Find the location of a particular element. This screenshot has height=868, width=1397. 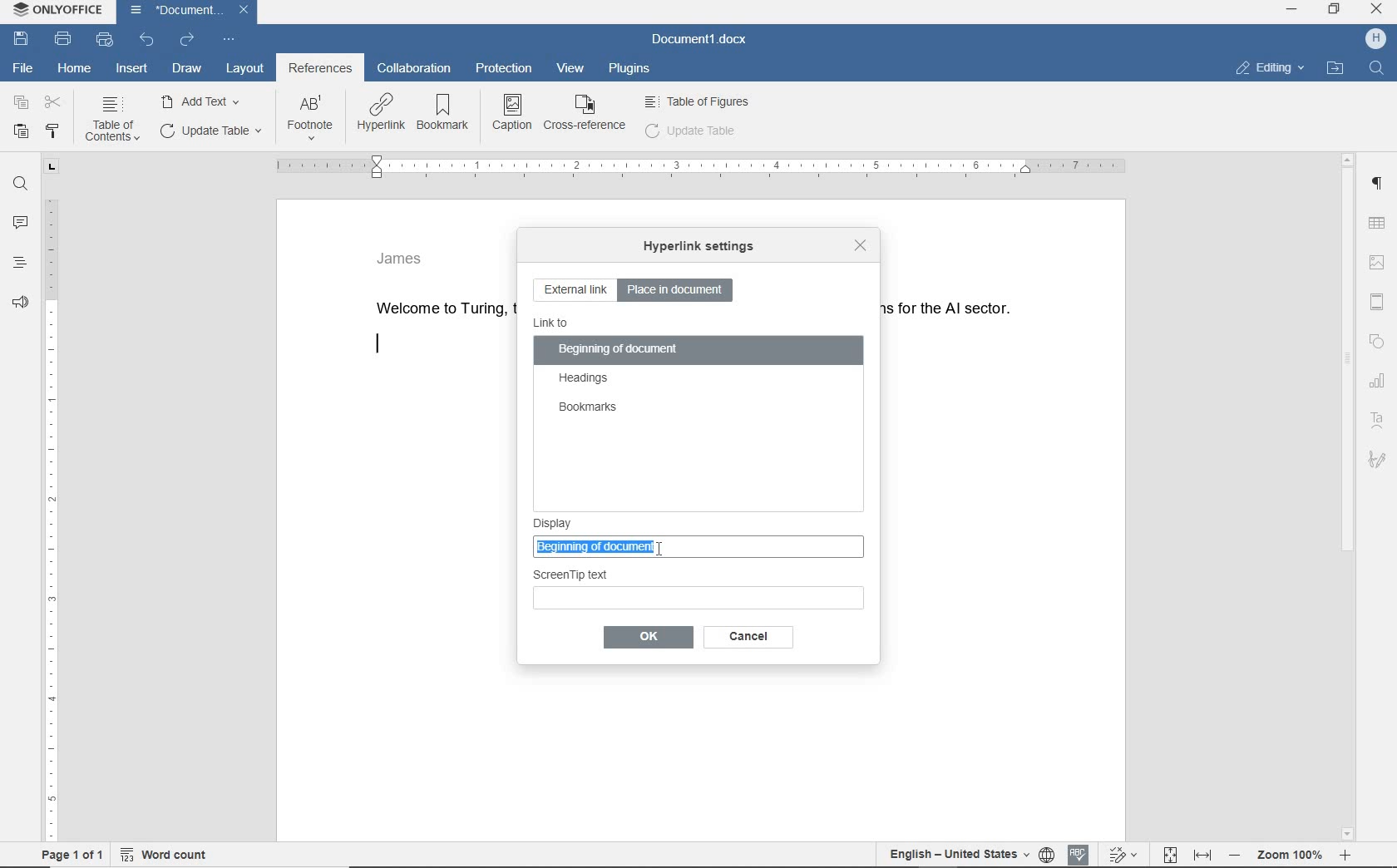

collaboration is located at coordinates (417, 69).